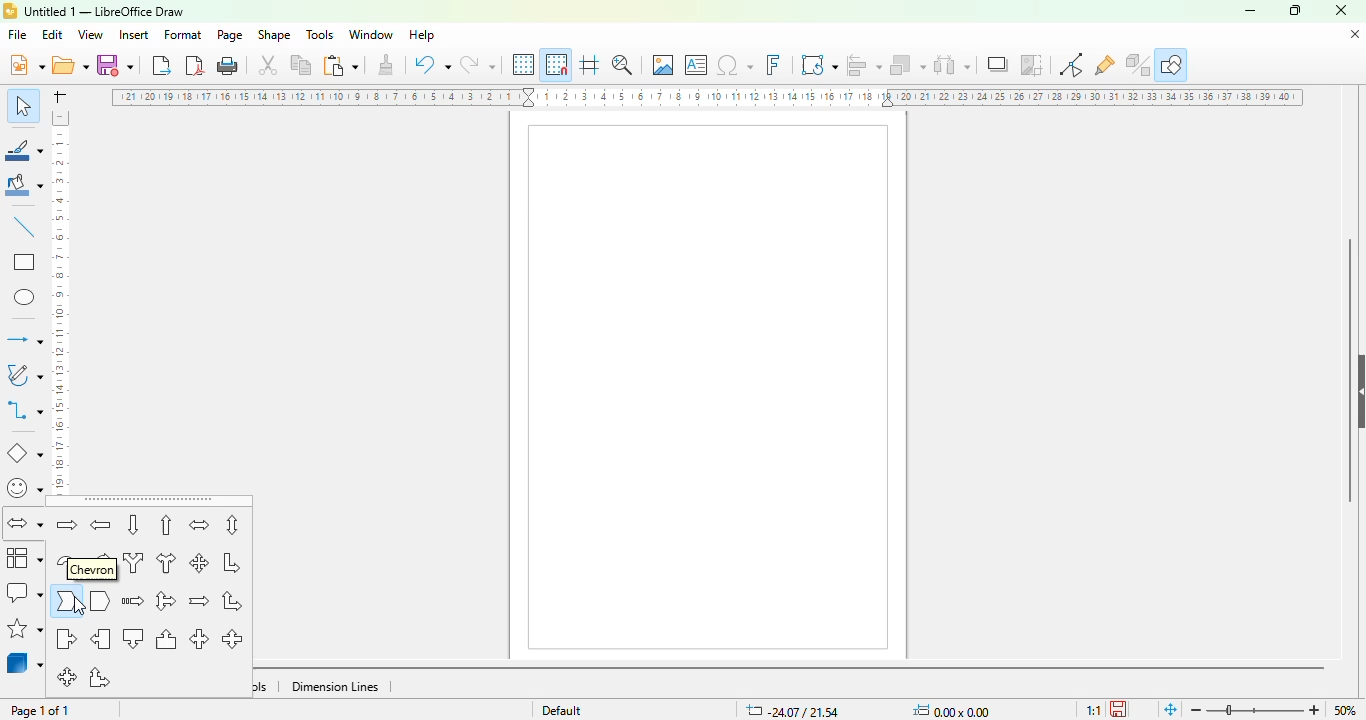 Image resolution: width=1366 pixels, height=720 pixels. What do you see at coordinates (1071, 64) in the screenshot?
I see `toggle point edit mode` at bounding box center [1071, 64].